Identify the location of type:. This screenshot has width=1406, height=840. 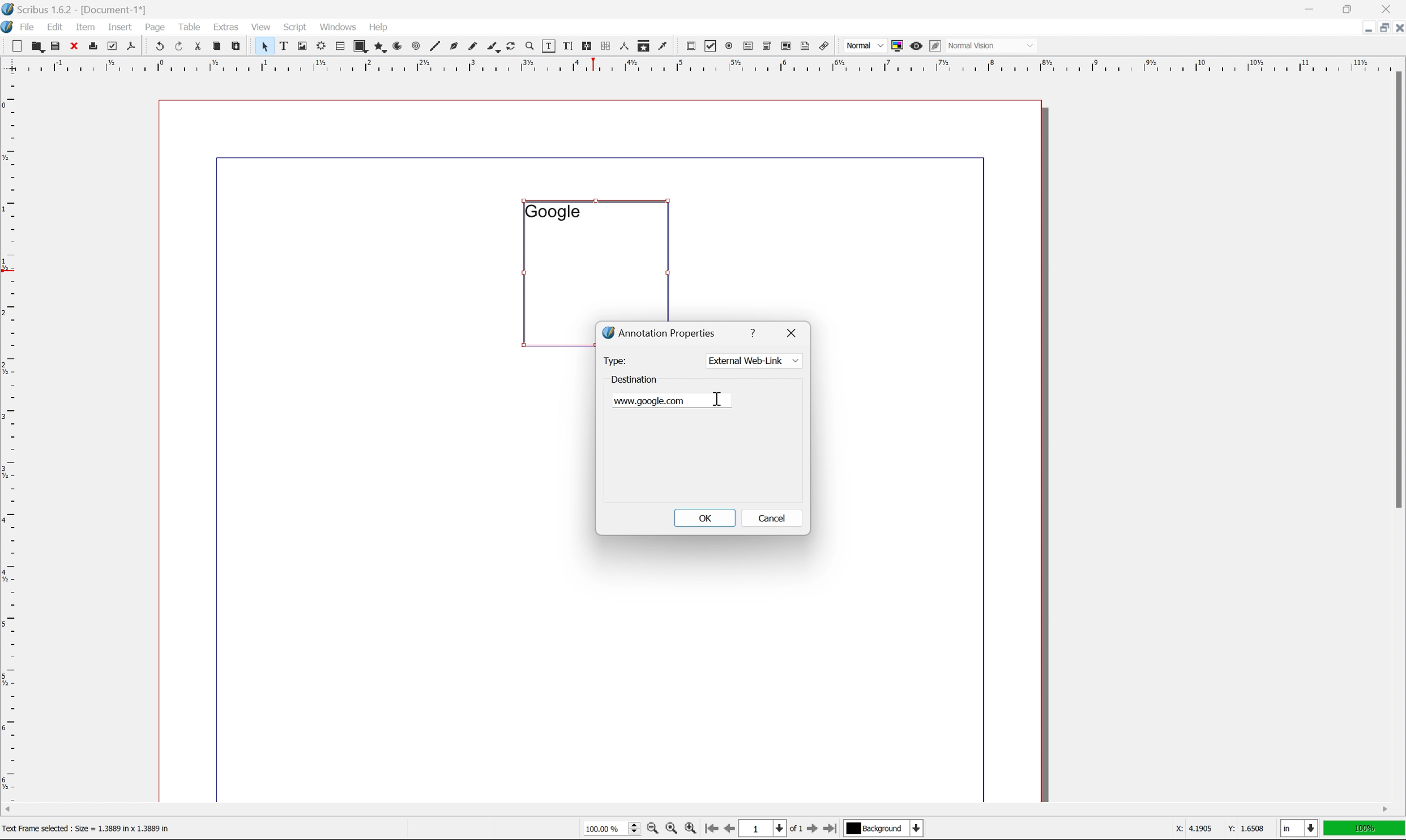
(614, 360).